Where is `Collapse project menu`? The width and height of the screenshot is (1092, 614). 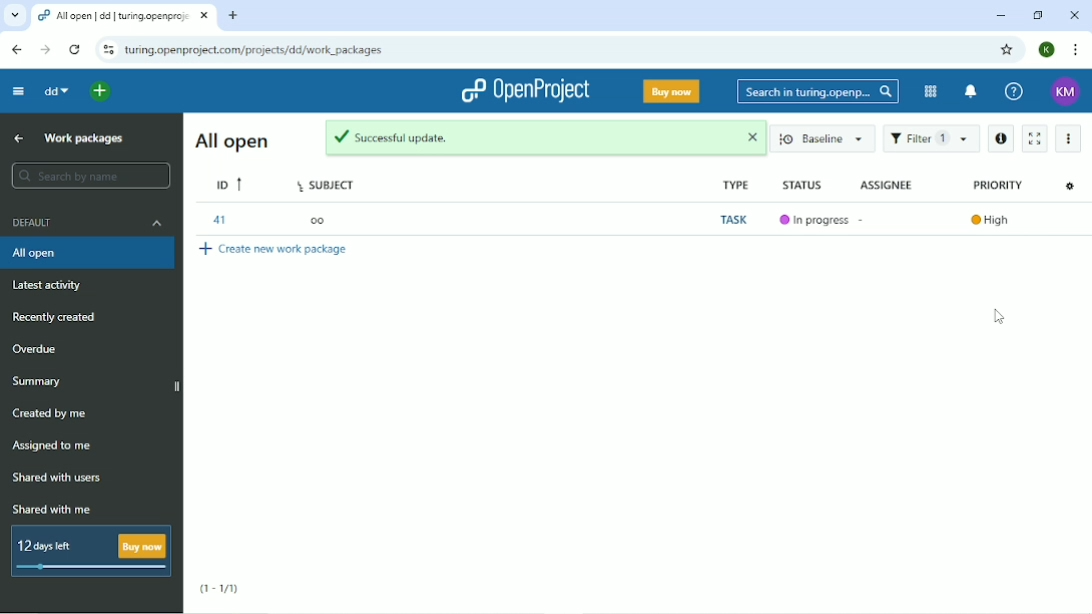
Collapse project menu is located at coordinates (20, 91).